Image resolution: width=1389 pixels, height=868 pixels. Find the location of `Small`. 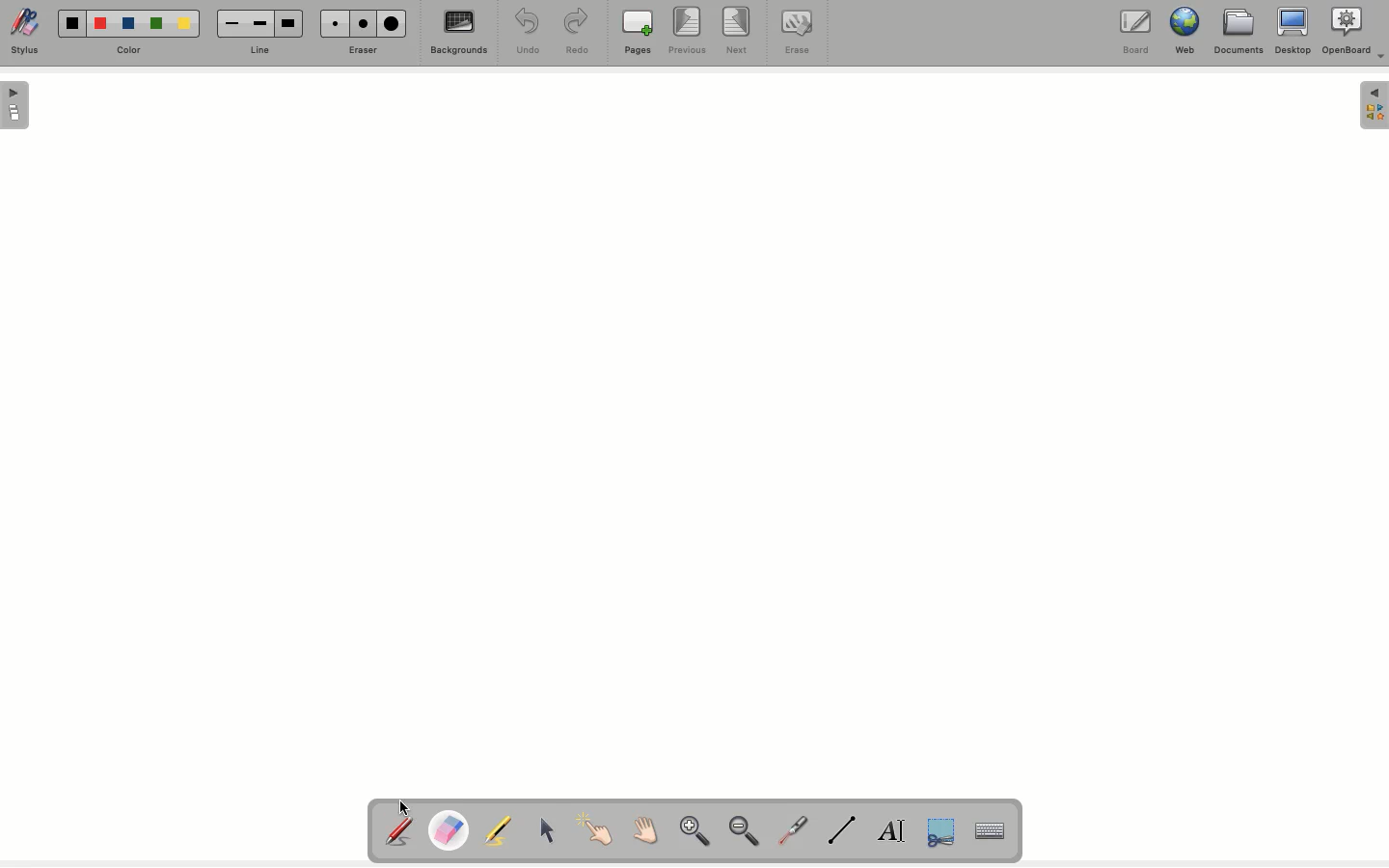

Small is located at coordinates (336, 23).